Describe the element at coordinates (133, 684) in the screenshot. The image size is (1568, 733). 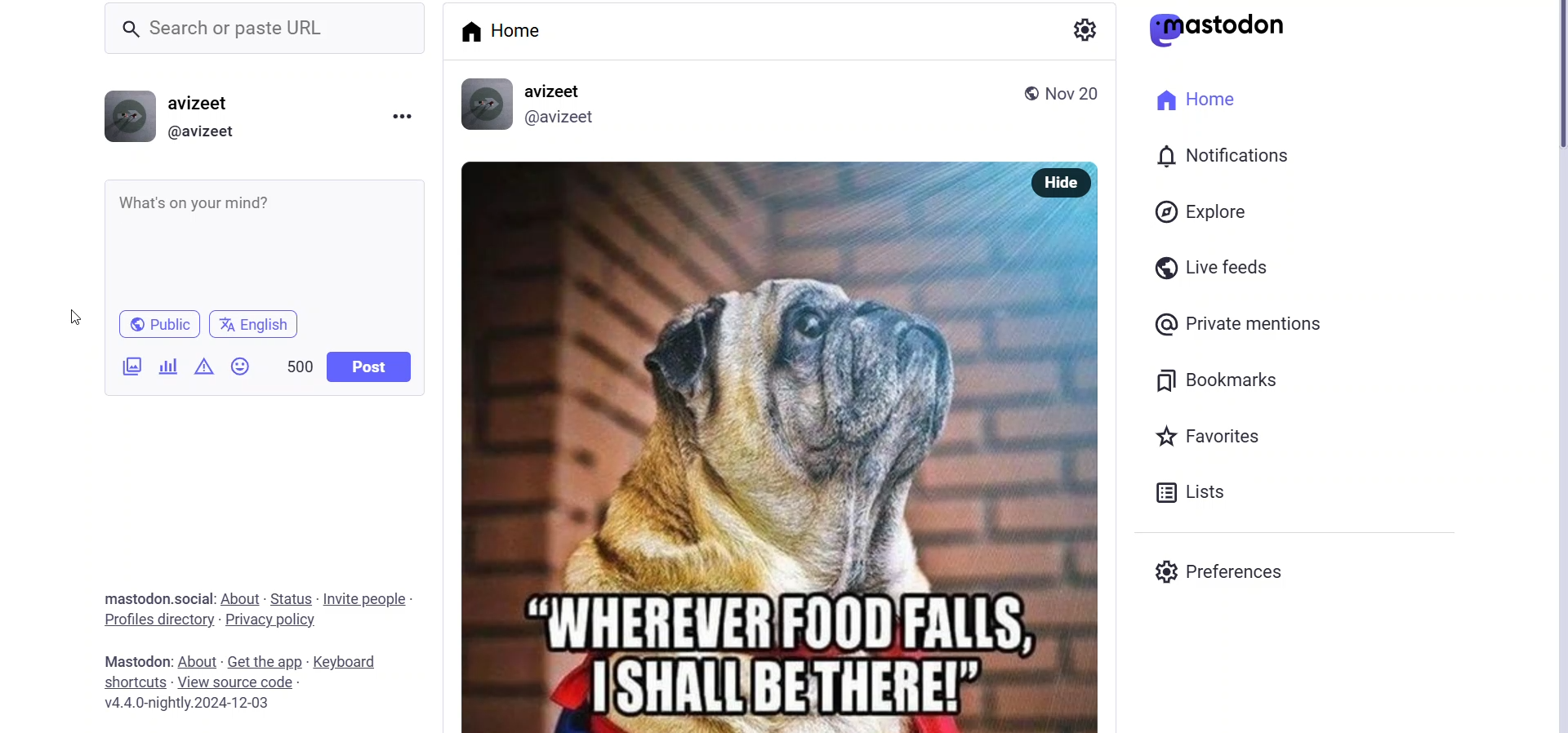
I see `shortcuts` at that location.